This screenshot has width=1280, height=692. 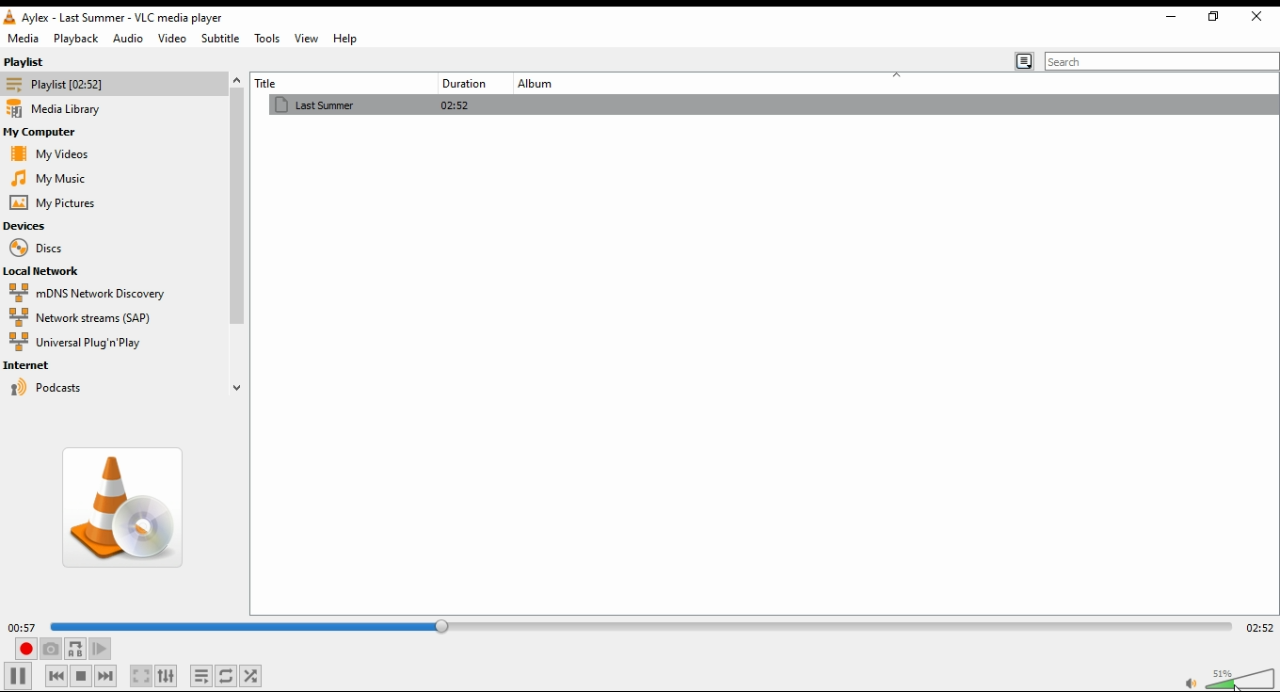 I want to click on toggle playlist, so click(x=204, y=676).